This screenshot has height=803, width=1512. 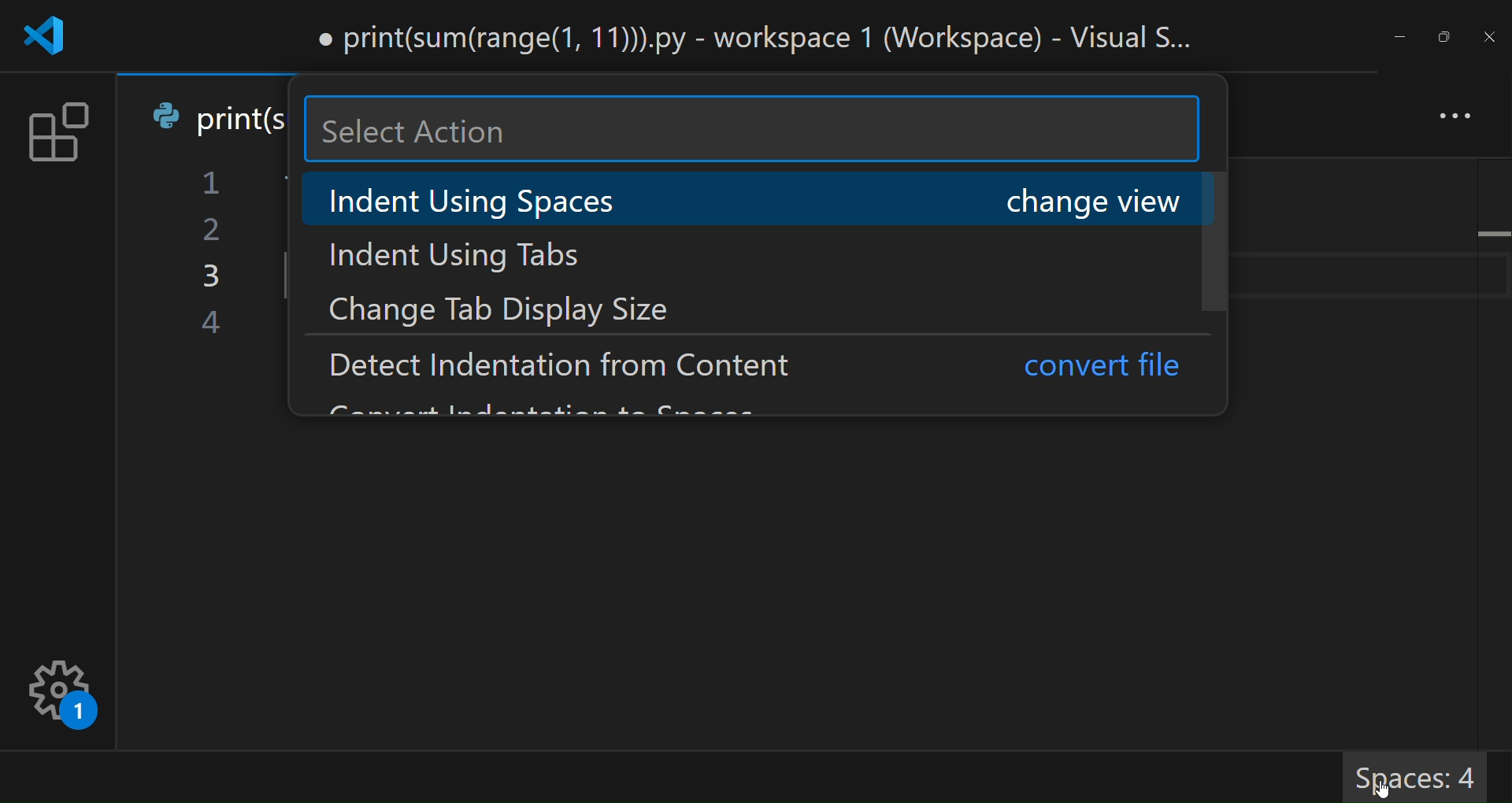 What do you see at coordinates (515, 310) in the screenshot?
I see `change tab display size` at bounding box center [515, 310].